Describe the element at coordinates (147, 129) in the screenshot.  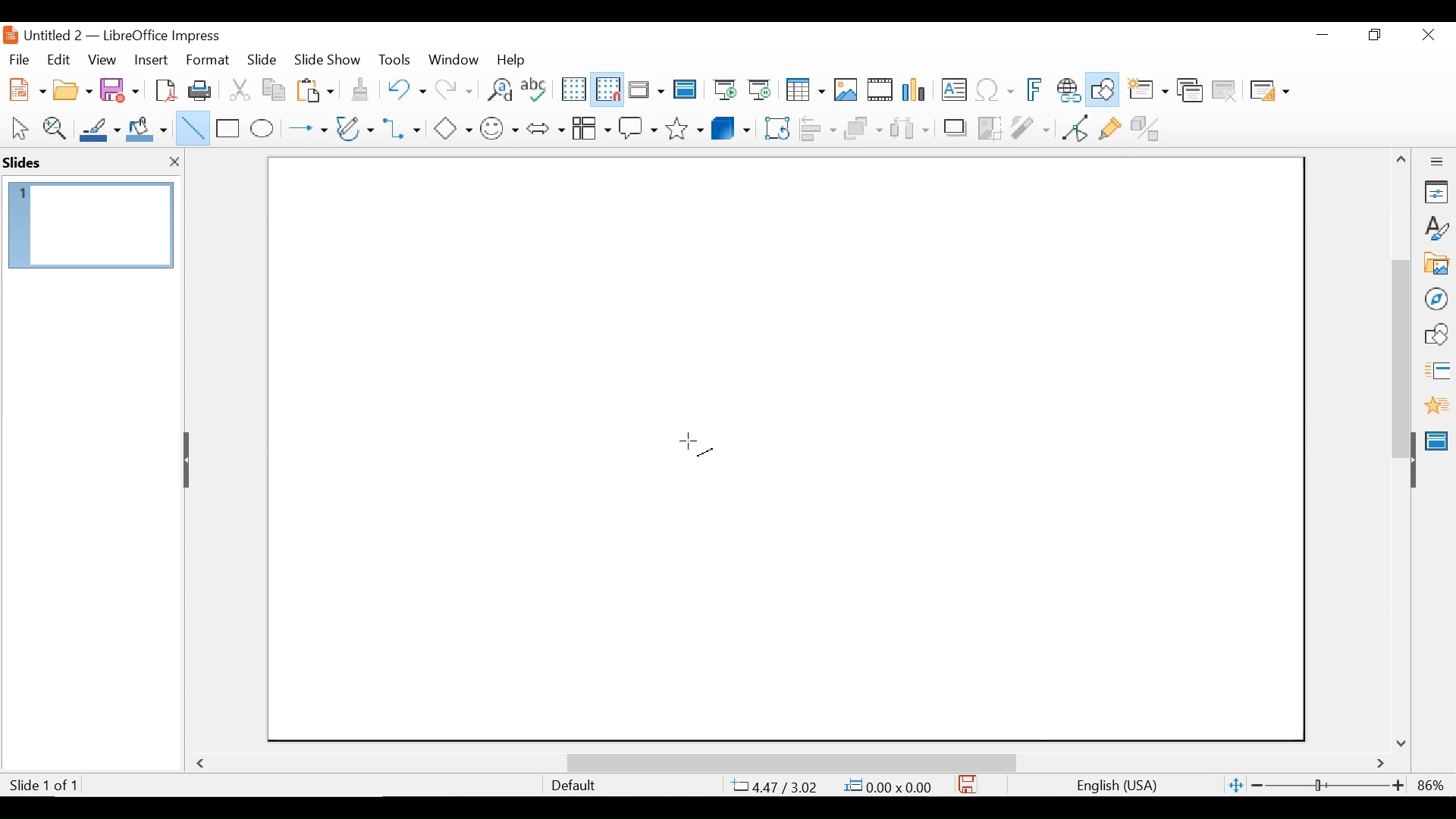
I see `Fill Color` at that location.